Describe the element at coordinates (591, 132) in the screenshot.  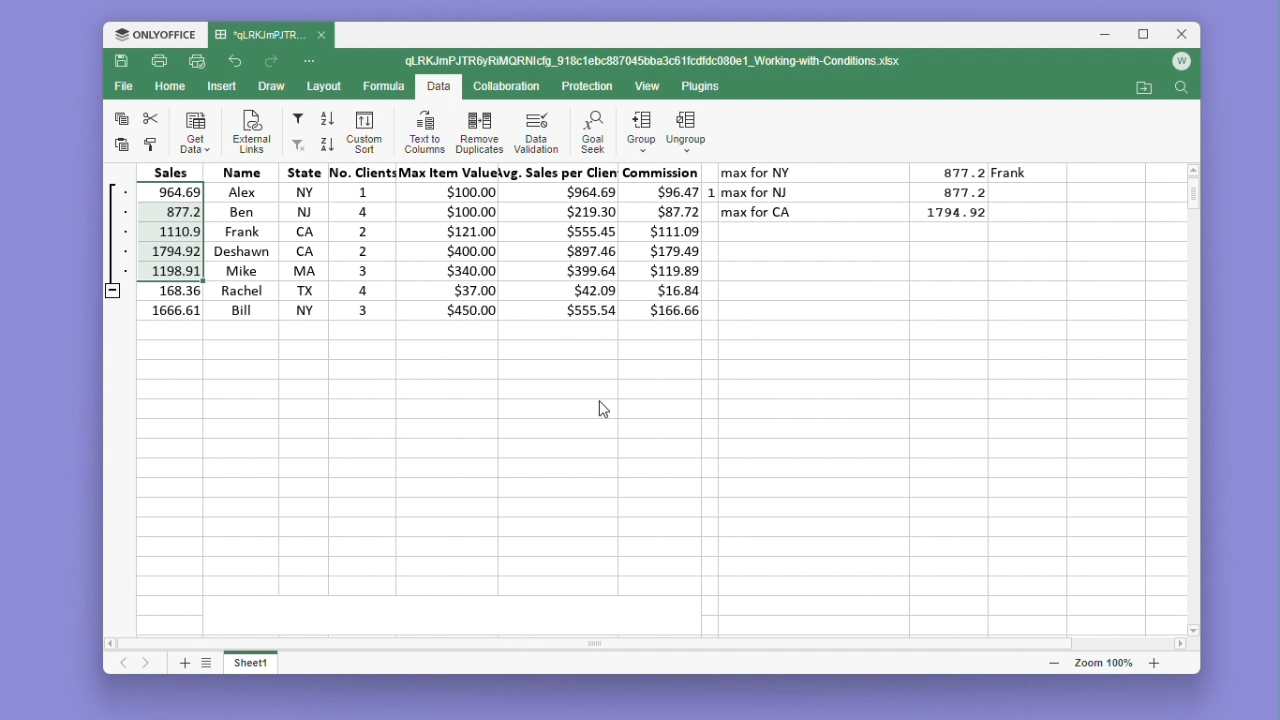
I see `Goal seek` at that location.